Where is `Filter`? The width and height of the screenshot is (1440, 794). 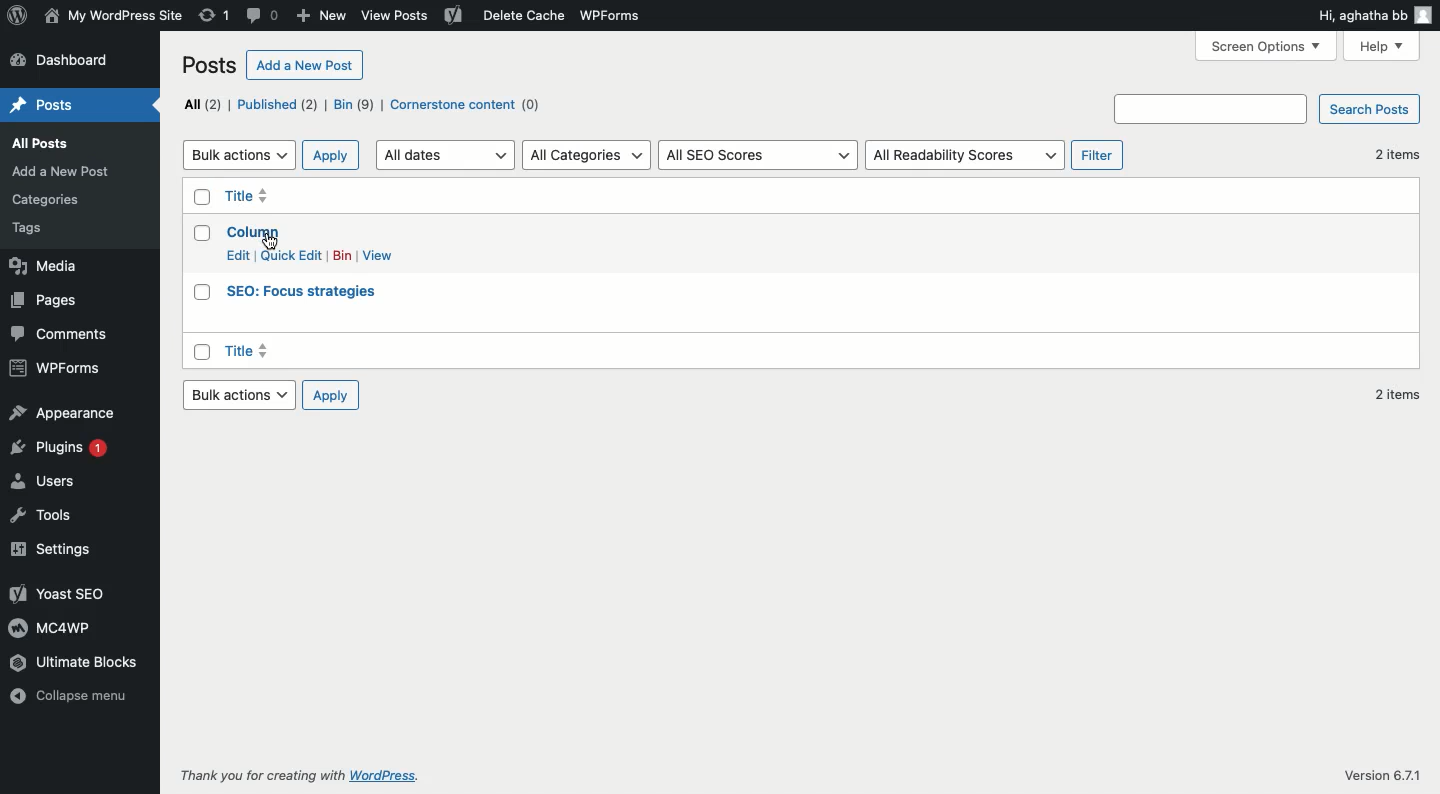
Filter is located at coordinates (1099, 155).